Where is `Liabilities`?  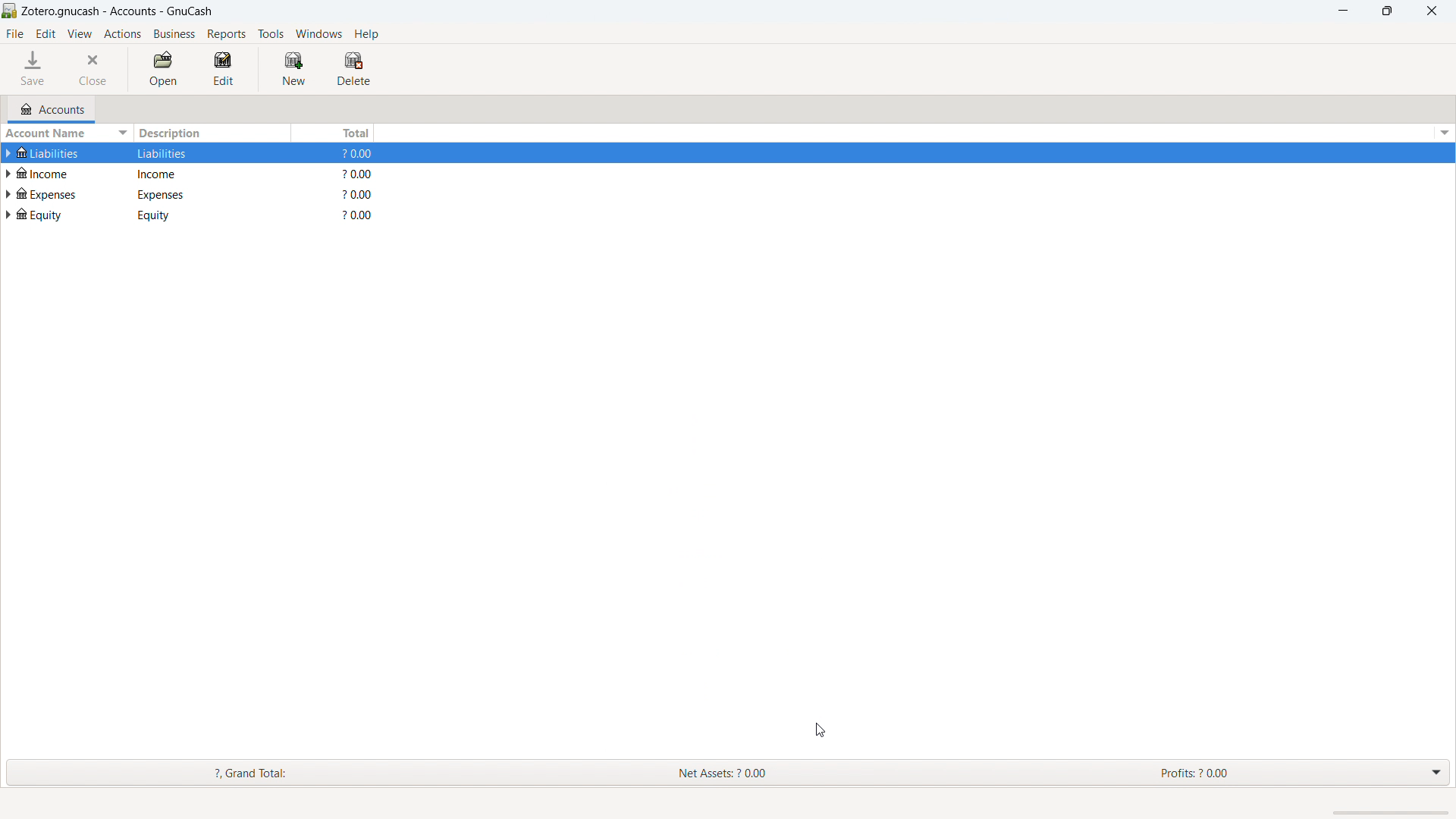
Liabilities is located at coordinates (59, 153).